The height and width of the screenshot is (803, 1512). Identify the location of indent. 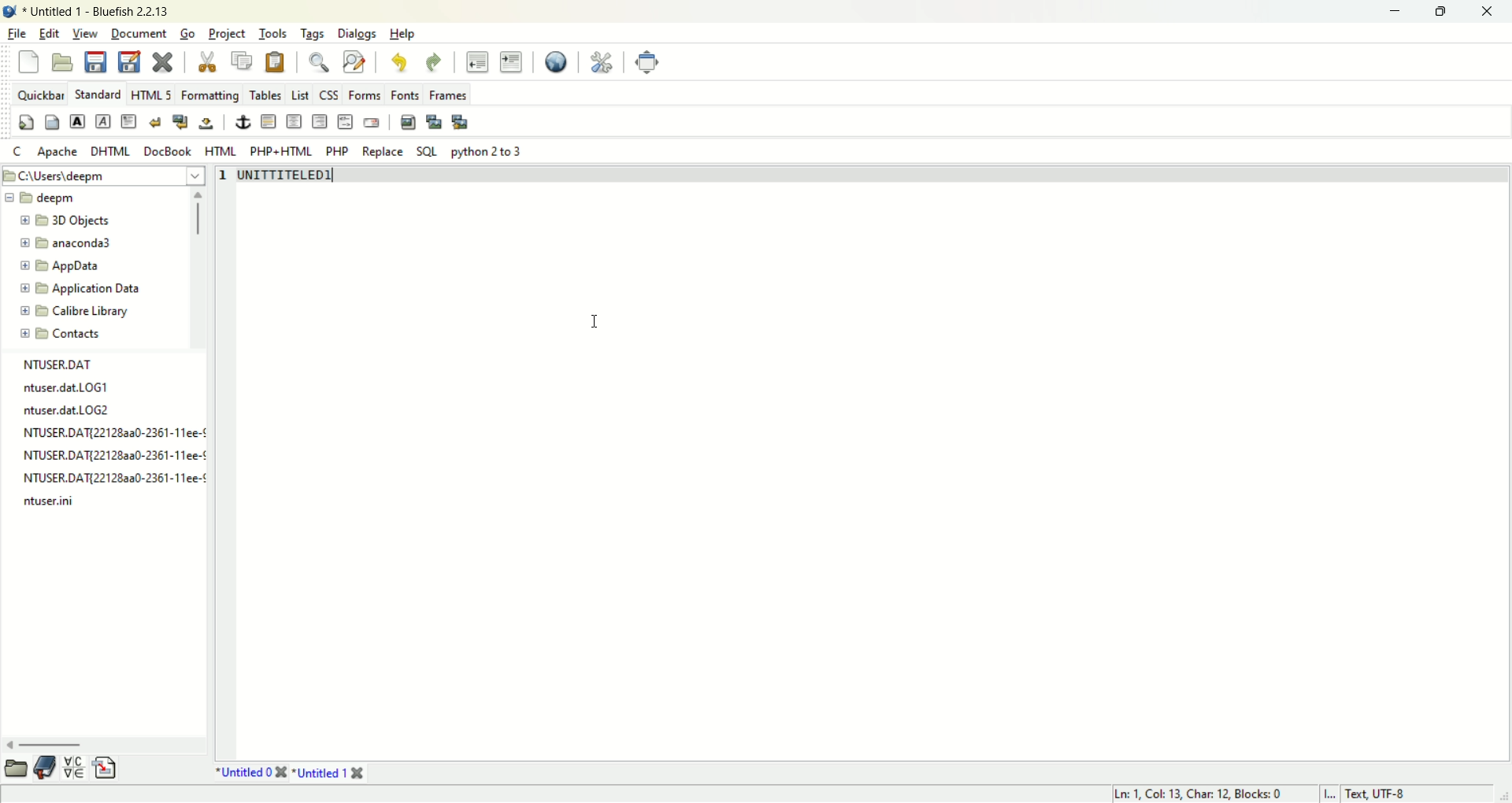
(514, 61).